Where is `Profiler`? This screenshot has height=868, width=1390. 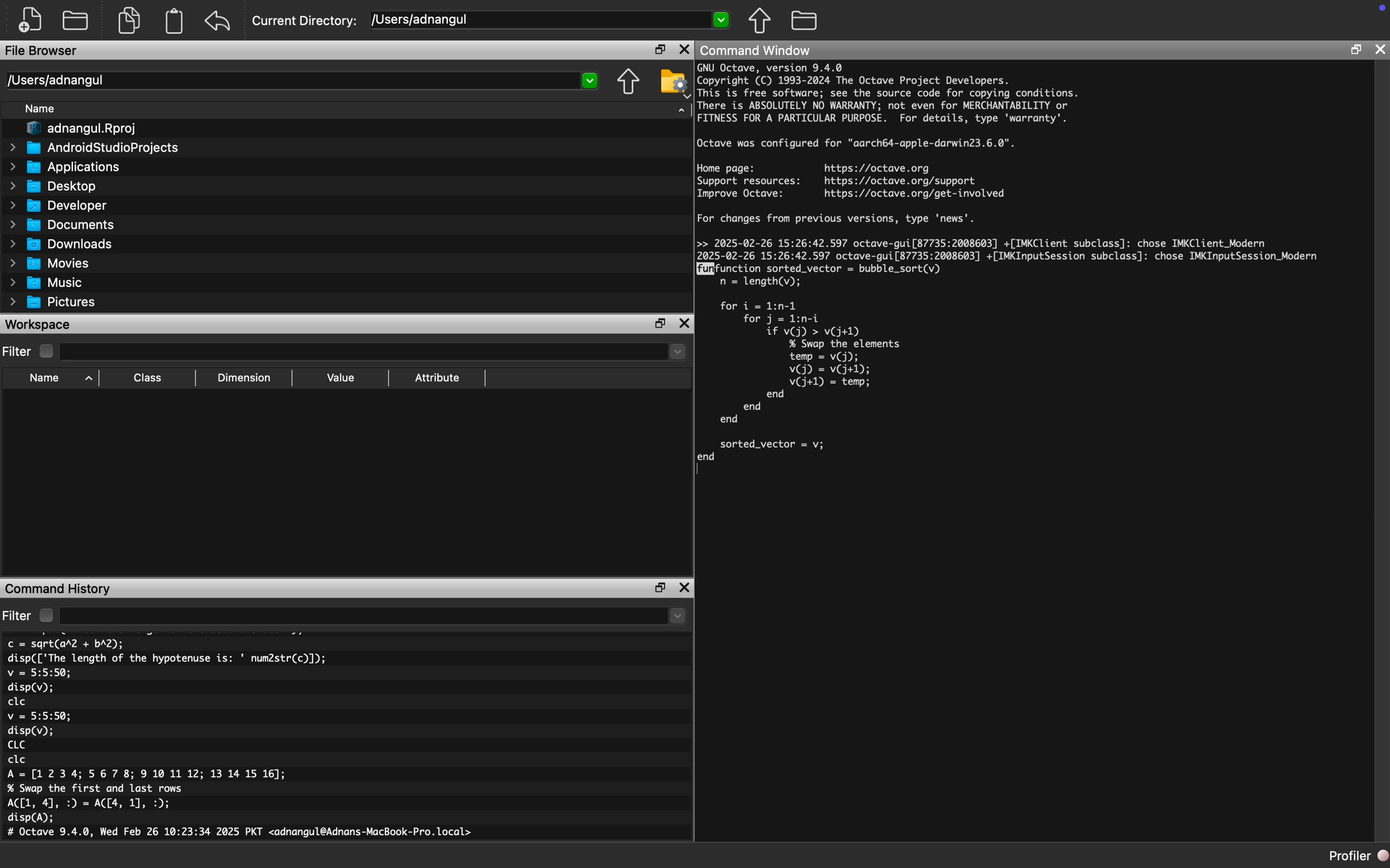
Profiler is located at coordinates (1358, 857).